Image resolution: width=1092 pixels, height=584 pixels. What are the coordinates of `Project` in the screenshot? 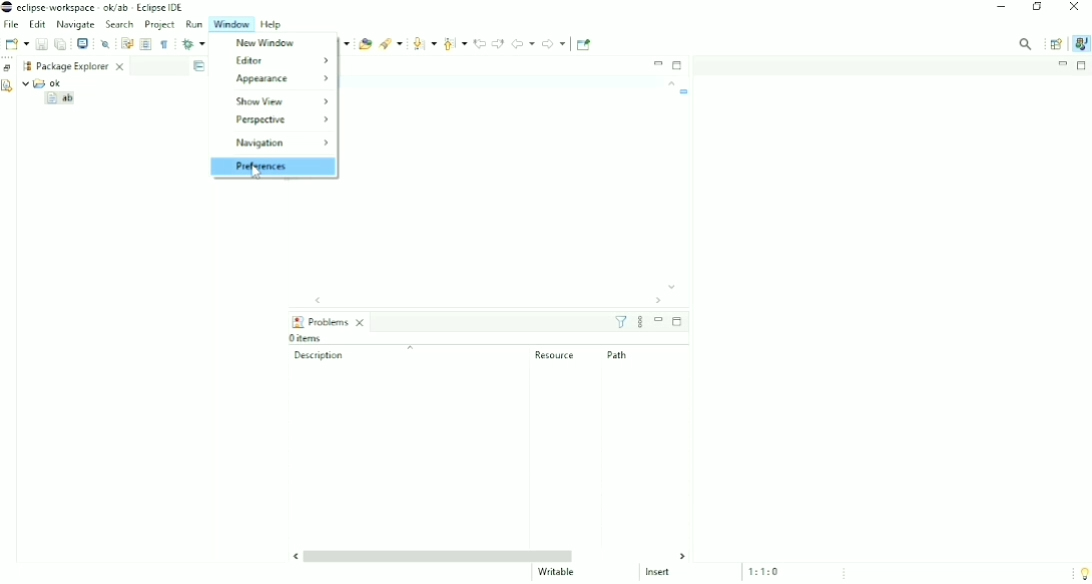 It's located at (160, 26).